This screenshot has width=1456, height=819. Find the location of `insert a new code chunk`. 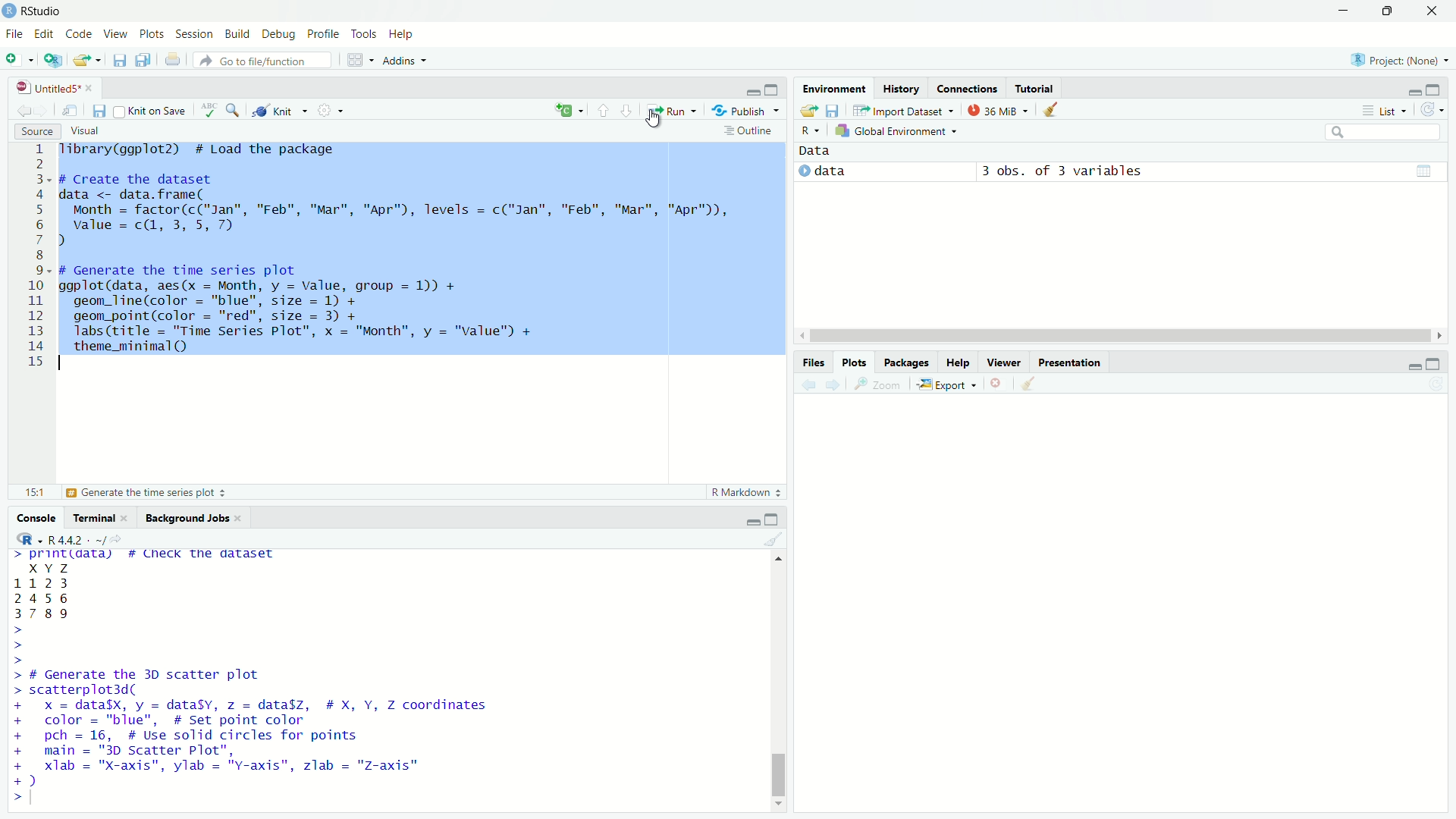

insert a new code chunk is located at coordinates (569, 110).